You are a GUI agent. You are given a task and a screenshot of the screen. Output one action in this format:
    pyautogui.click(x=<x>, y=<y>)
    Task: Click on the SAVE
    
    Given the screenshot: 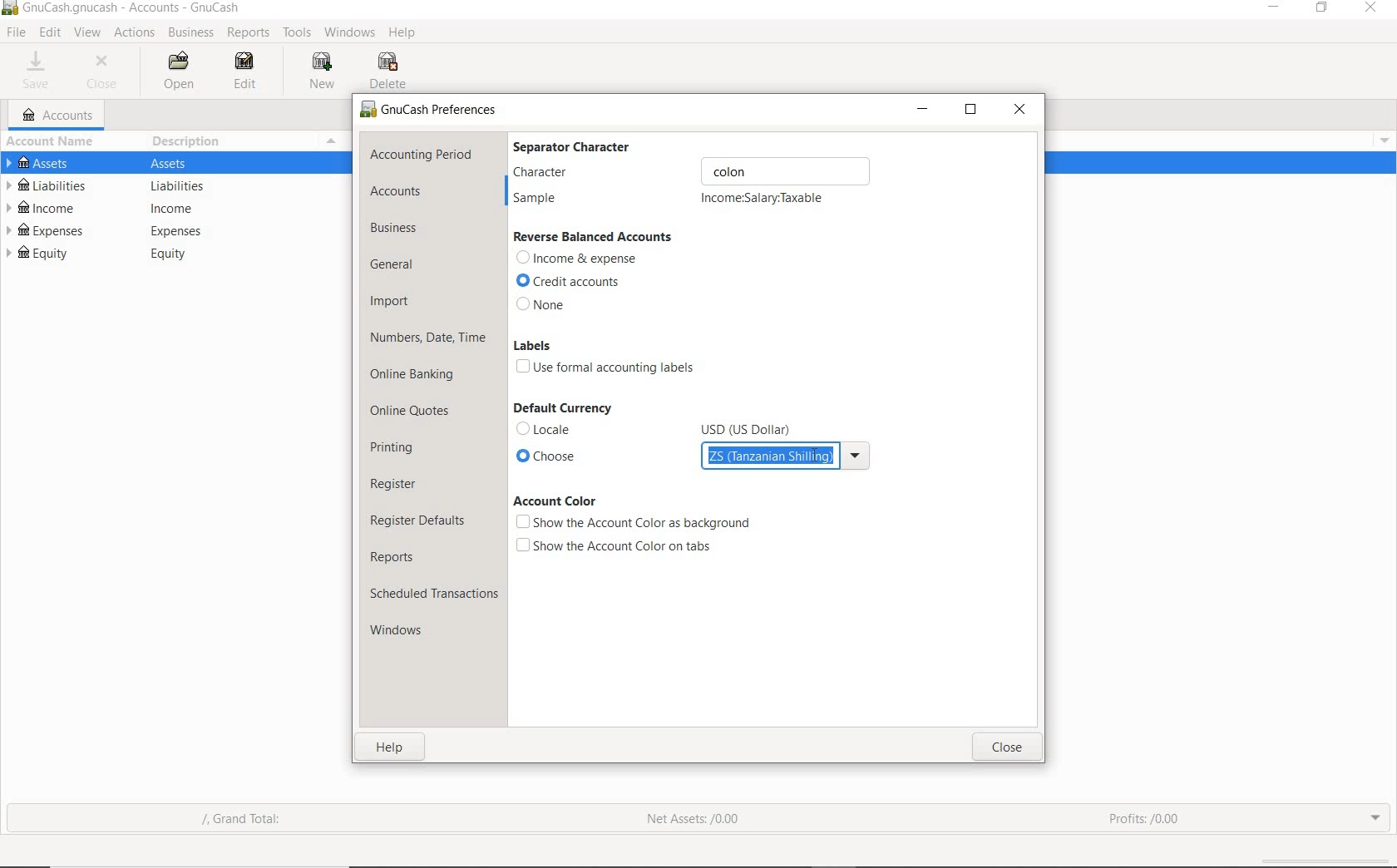 What is the action you would take?
    pyautogui.click(x=39, y=72)
    